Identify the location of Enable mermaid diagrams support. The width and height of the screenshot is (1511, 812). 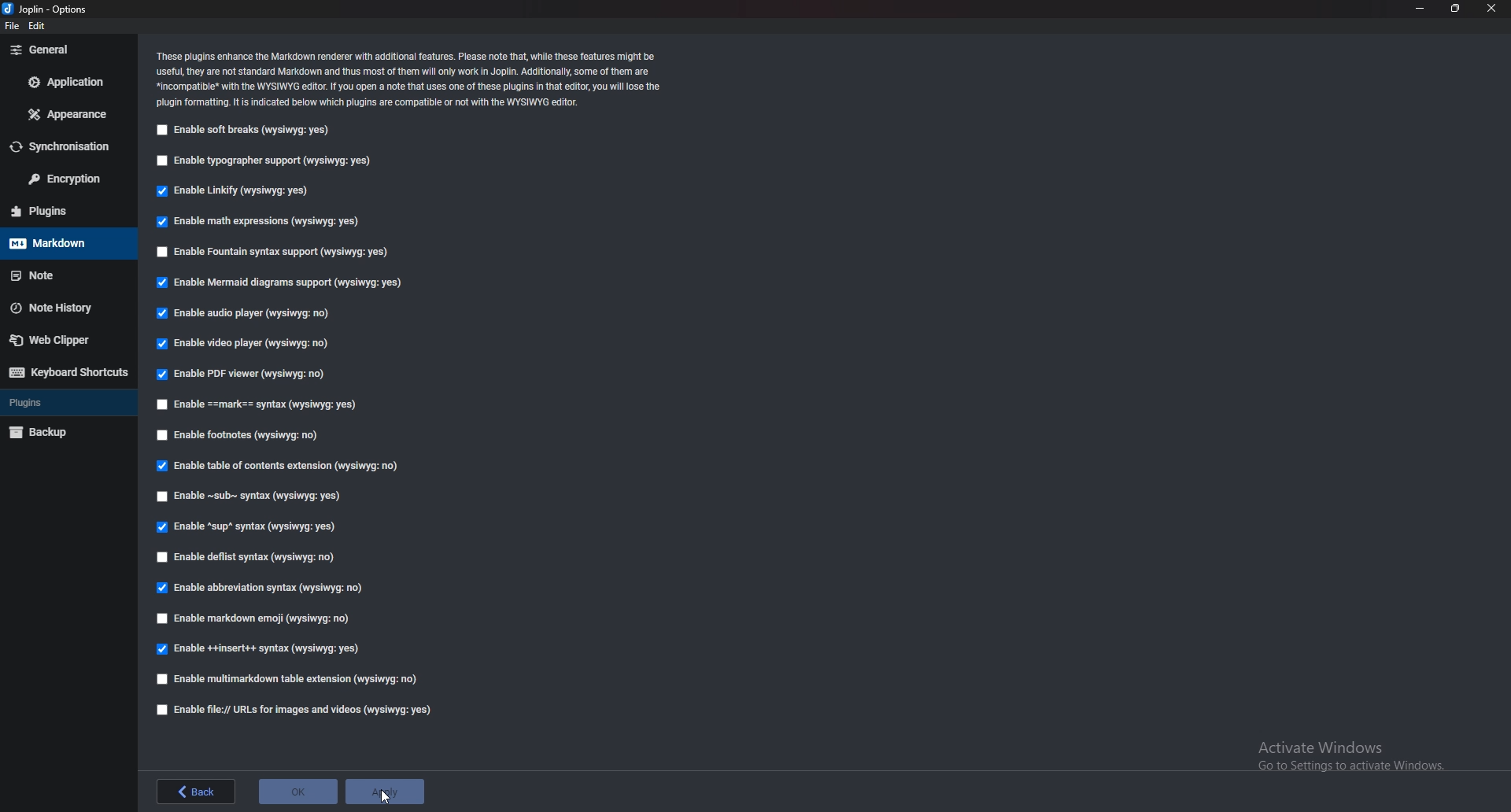
(275, 282).